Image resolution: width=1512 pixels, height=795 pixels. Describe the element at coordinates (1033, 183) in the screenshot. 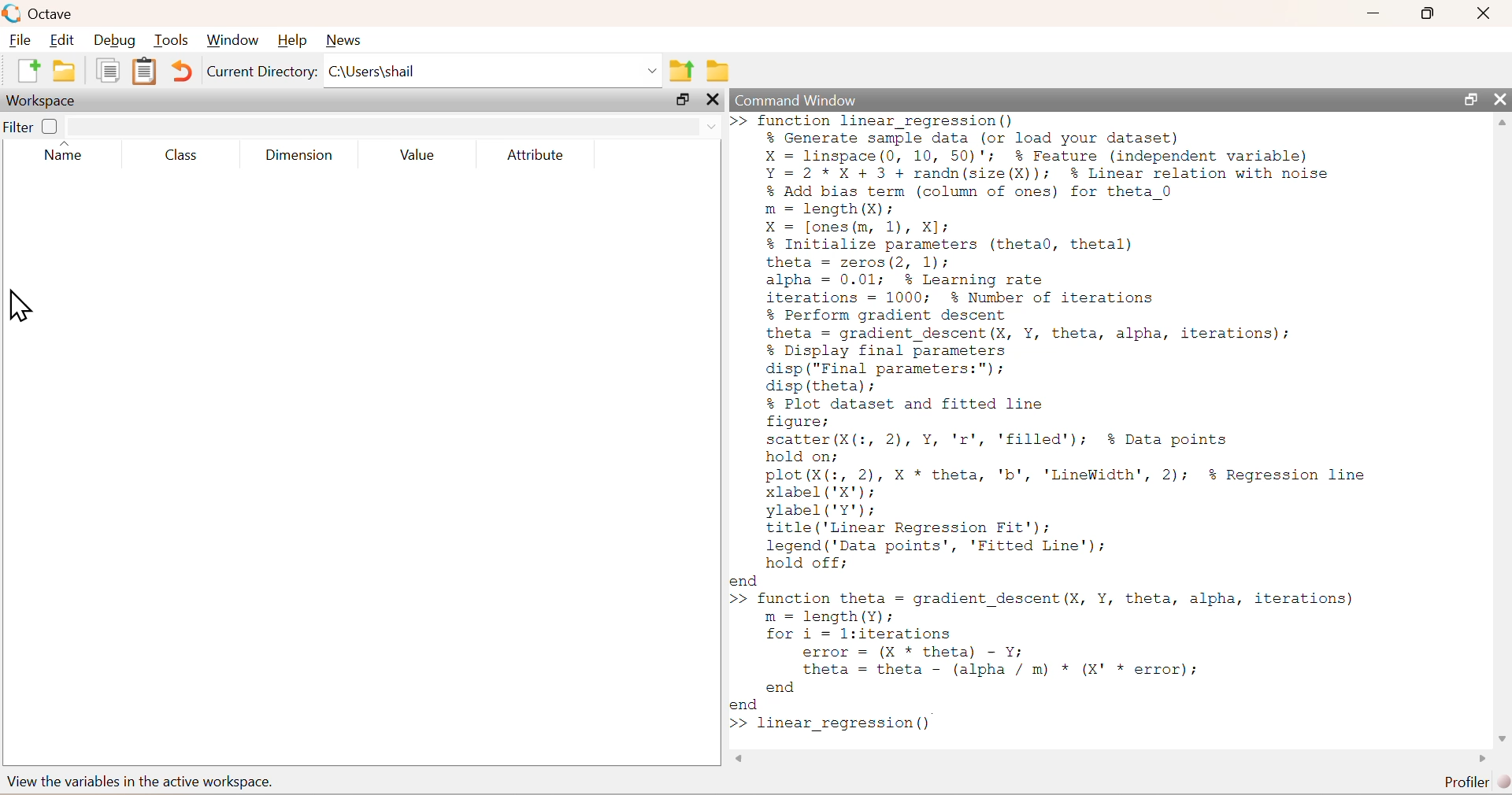

I see `>>function linear regression()% Generate sample data (or load your dataset)X = linspace(0, 10, 50)'; % Feature (independent variable)Y=2*X+ 3 + randn(size(X)); % Linear relation with noise% Add bias term (column of ones) for theta 0m = length (X):X = [ones (m, 1), X];% Initialize parameters (theta0, thetal)` at that location.